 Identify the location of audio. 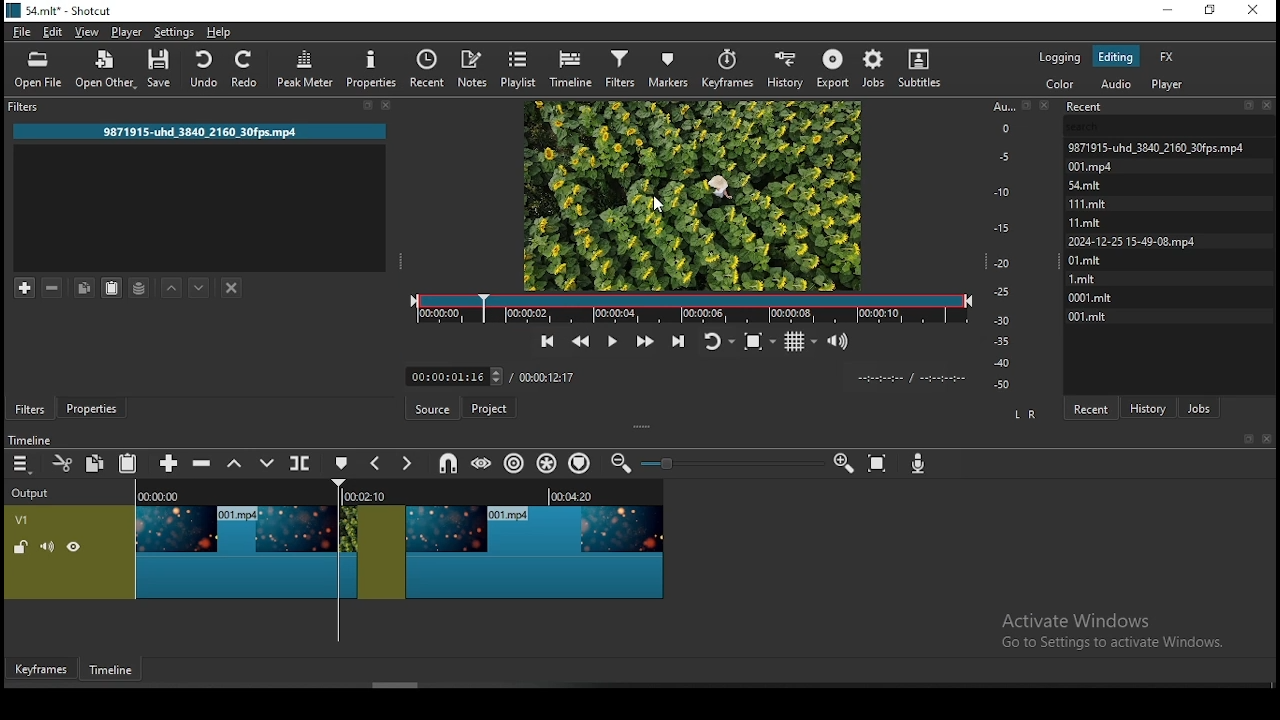
(1115, 85).